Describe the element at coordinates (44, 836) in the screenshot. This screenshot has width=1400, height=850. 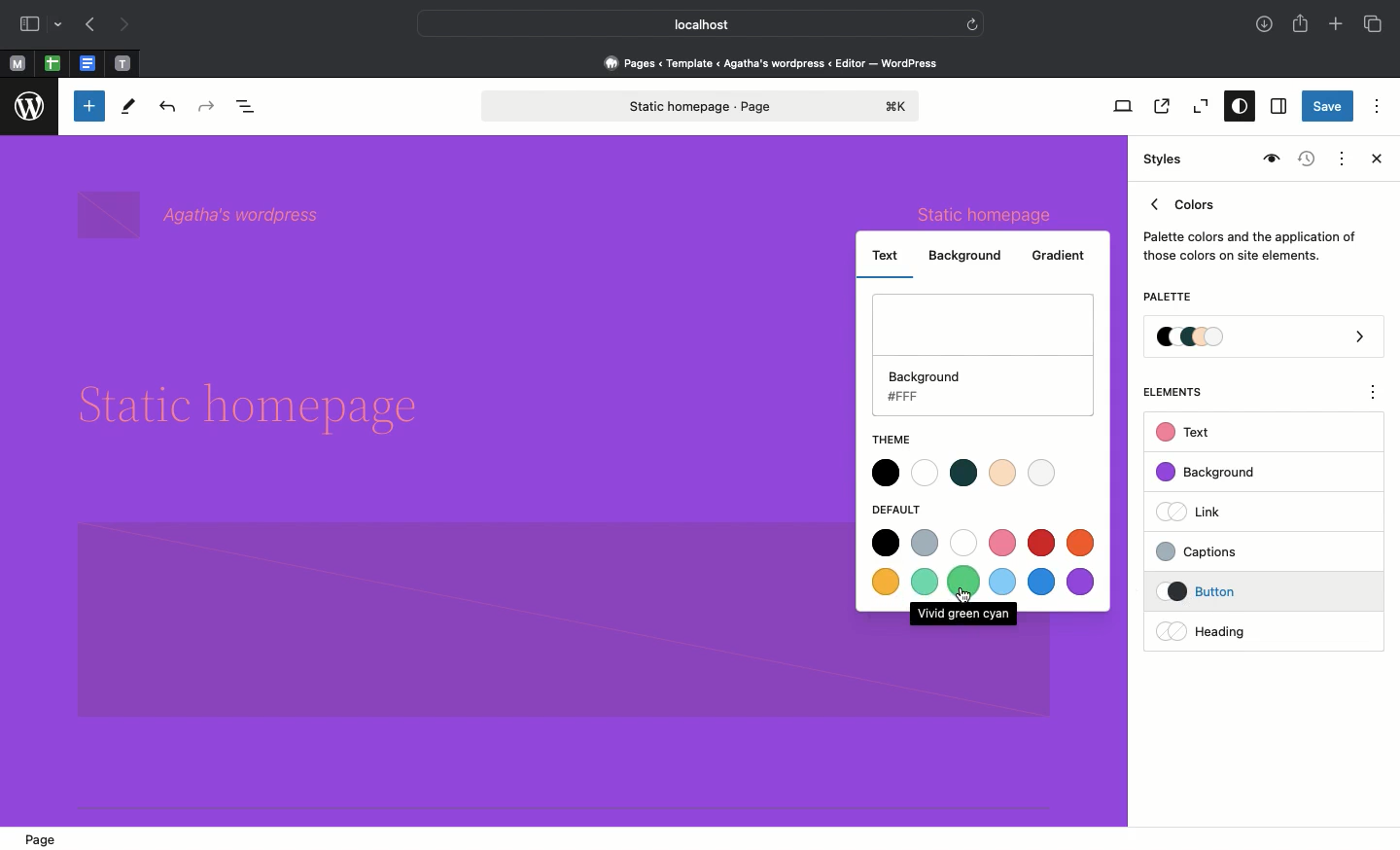
I see `Page` at that location.